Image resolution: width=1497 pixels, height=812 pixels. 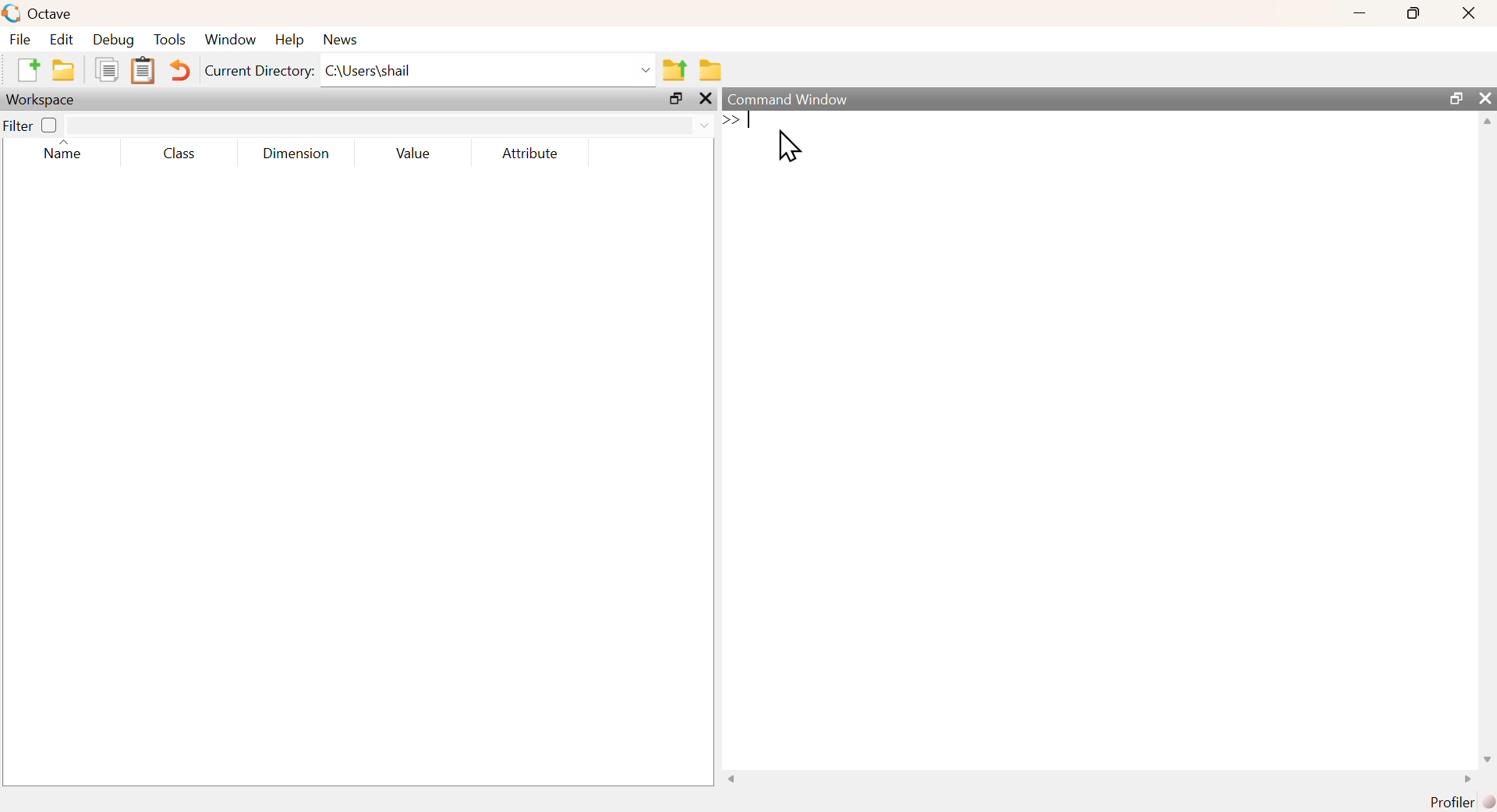 I want to click on Value, so click(x=409, y=153).